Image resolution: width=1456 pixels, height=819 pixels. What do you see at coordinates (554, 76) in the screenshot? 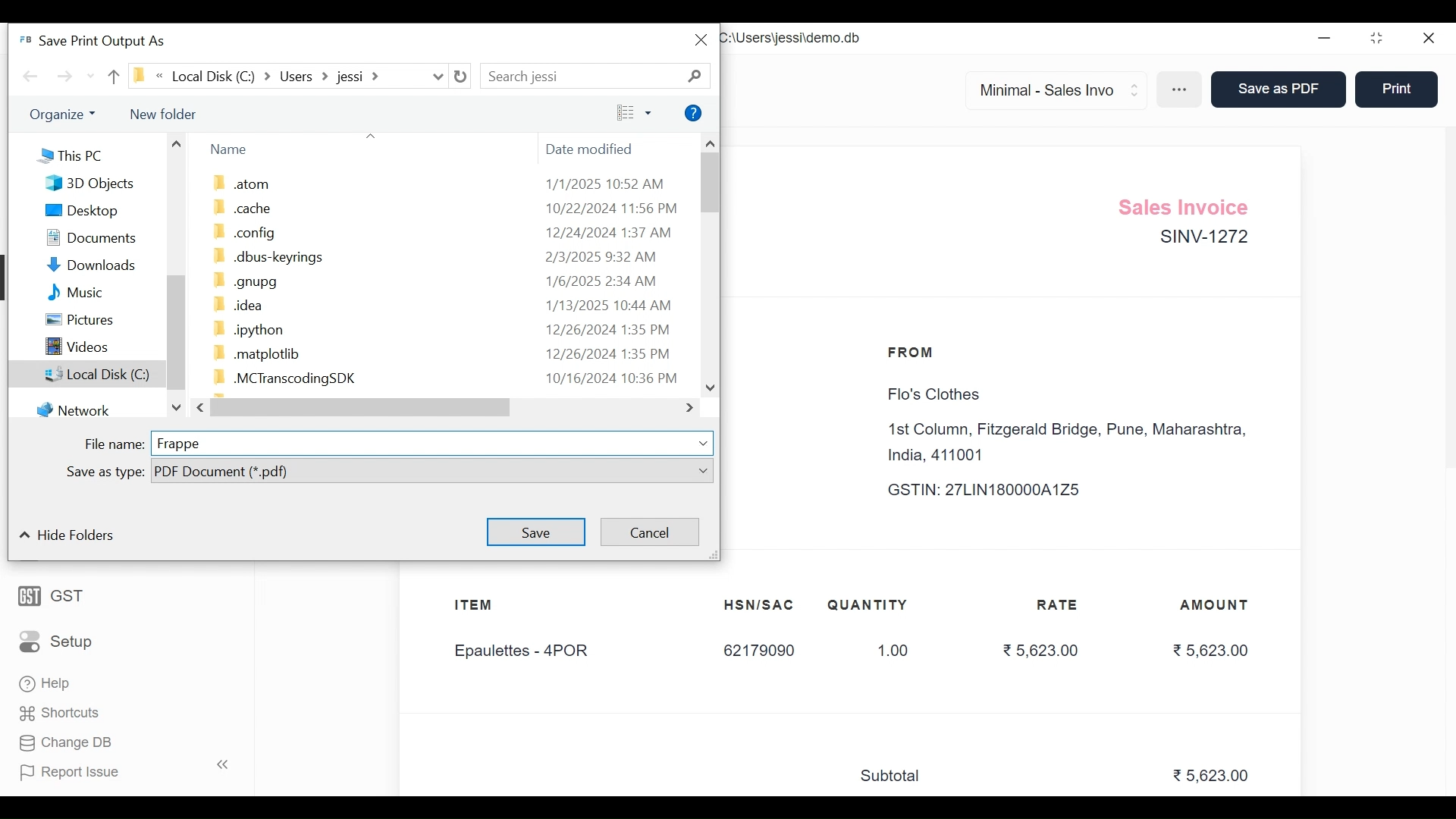
I see `Search jessi` at bounding box center [554, 76].